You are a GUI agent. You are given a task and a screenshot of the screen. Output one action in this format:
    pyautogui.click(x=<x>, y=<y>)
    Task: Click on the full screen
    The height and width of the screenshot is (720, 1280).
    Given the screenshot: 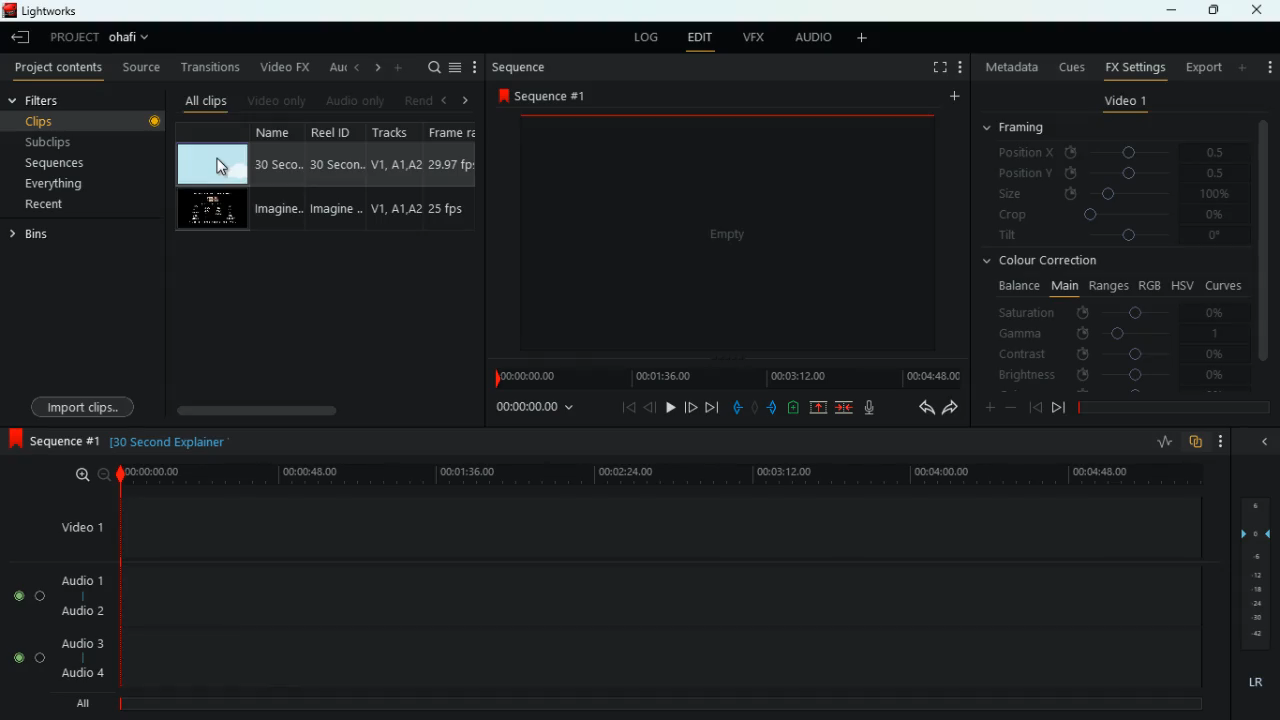 What is the action you would take?
    pyautogui.click(x=936, y=66)
    